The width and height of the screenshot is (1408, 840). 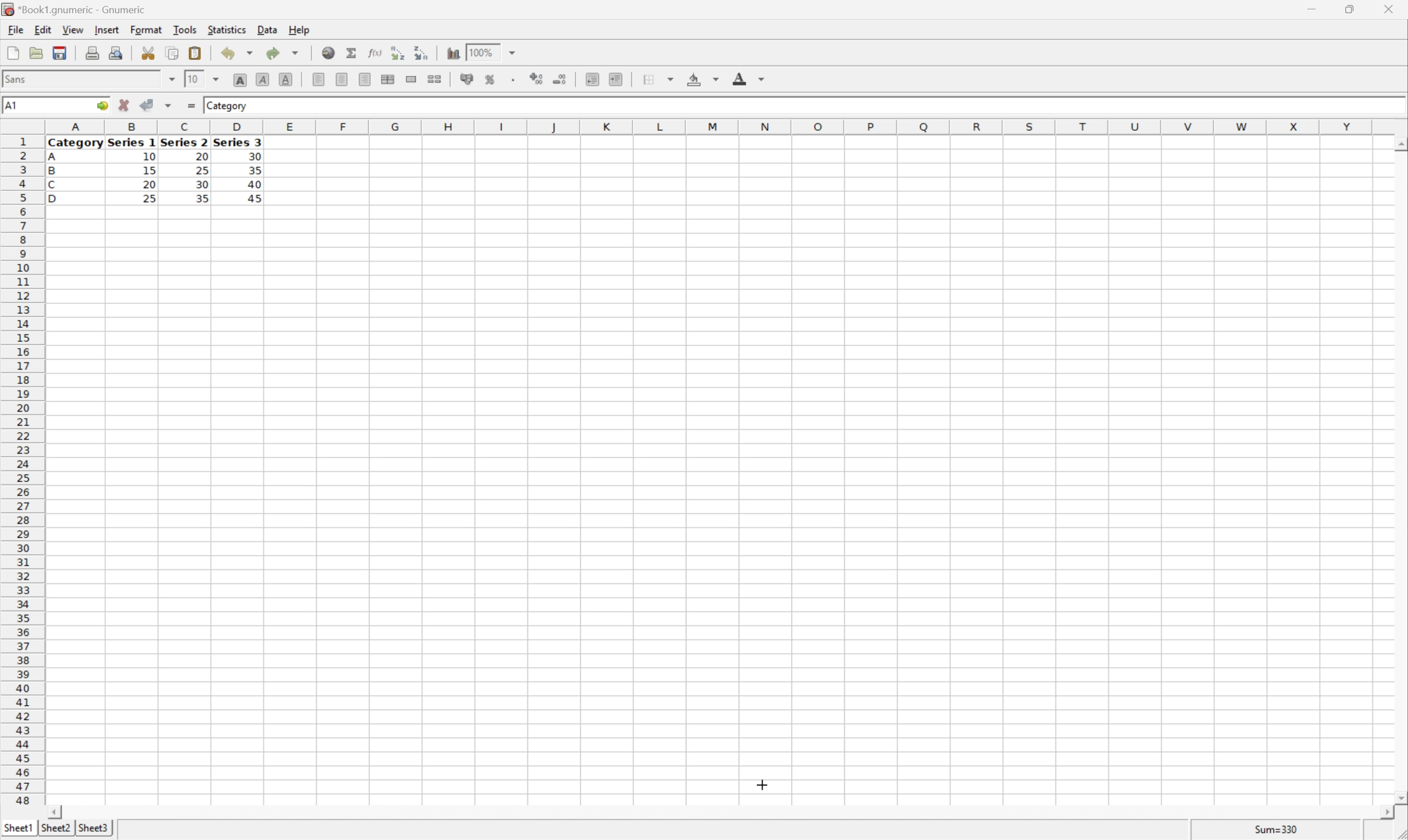 I want to click on cursor, so click(x=762, y=784).